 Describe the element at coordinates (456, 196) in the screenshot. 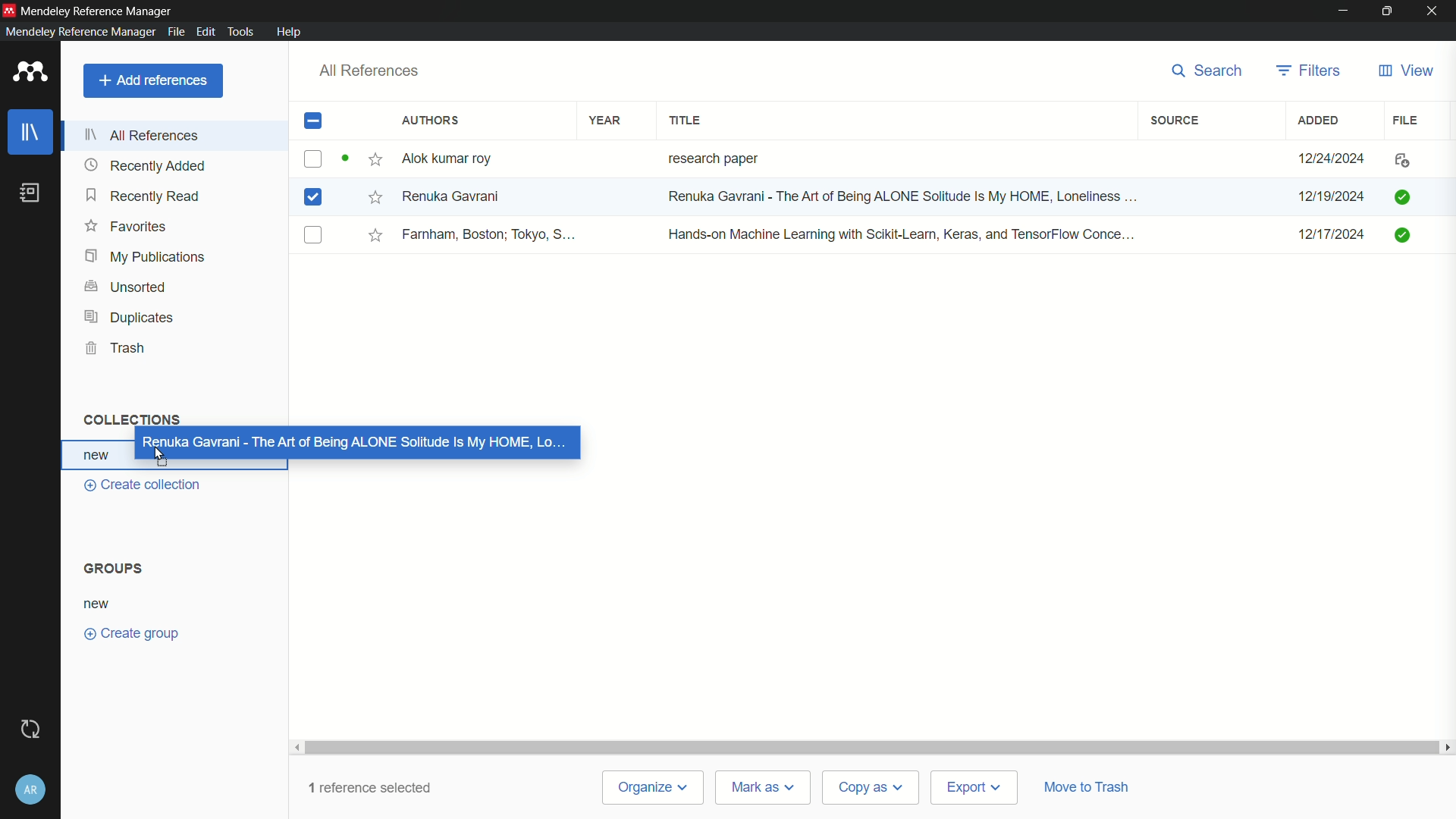

I see `Renuka Gavrani` at that location.